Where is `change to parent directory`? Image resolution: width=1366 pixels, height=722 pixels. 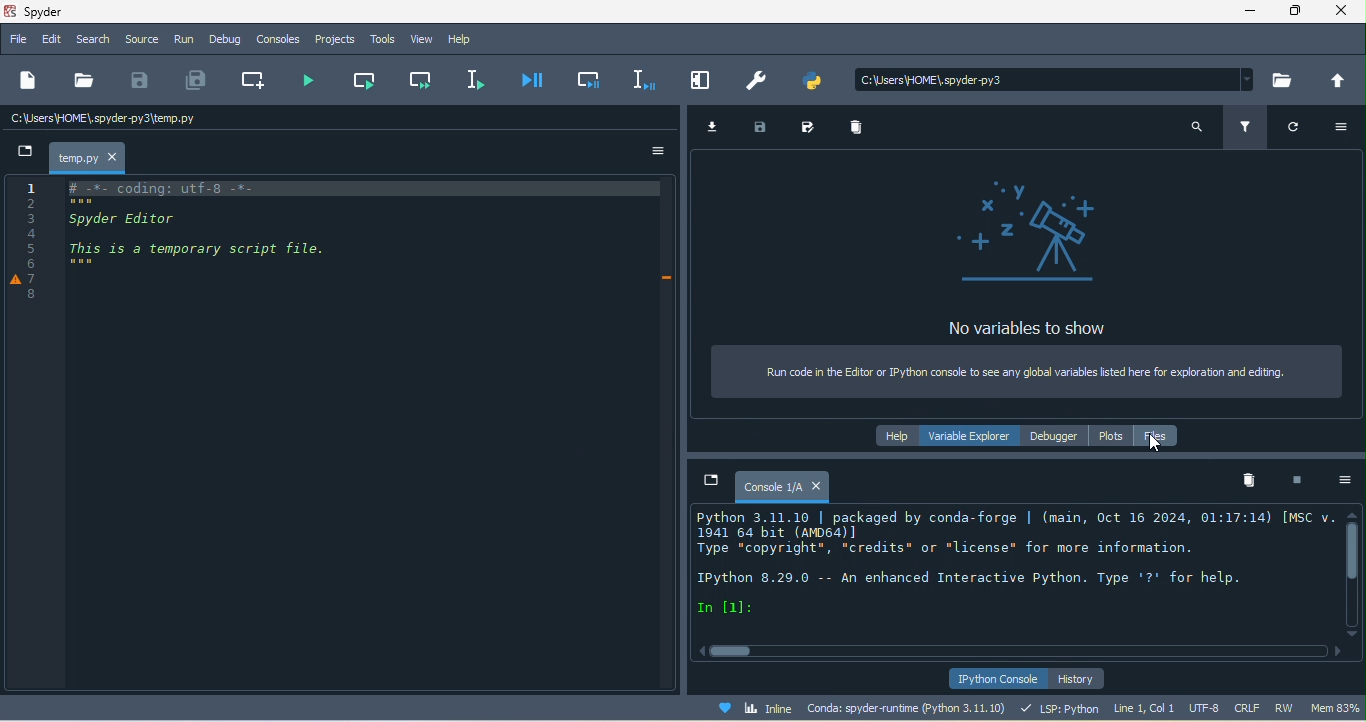
change to parent directory is located at coordinates (1332, 80).